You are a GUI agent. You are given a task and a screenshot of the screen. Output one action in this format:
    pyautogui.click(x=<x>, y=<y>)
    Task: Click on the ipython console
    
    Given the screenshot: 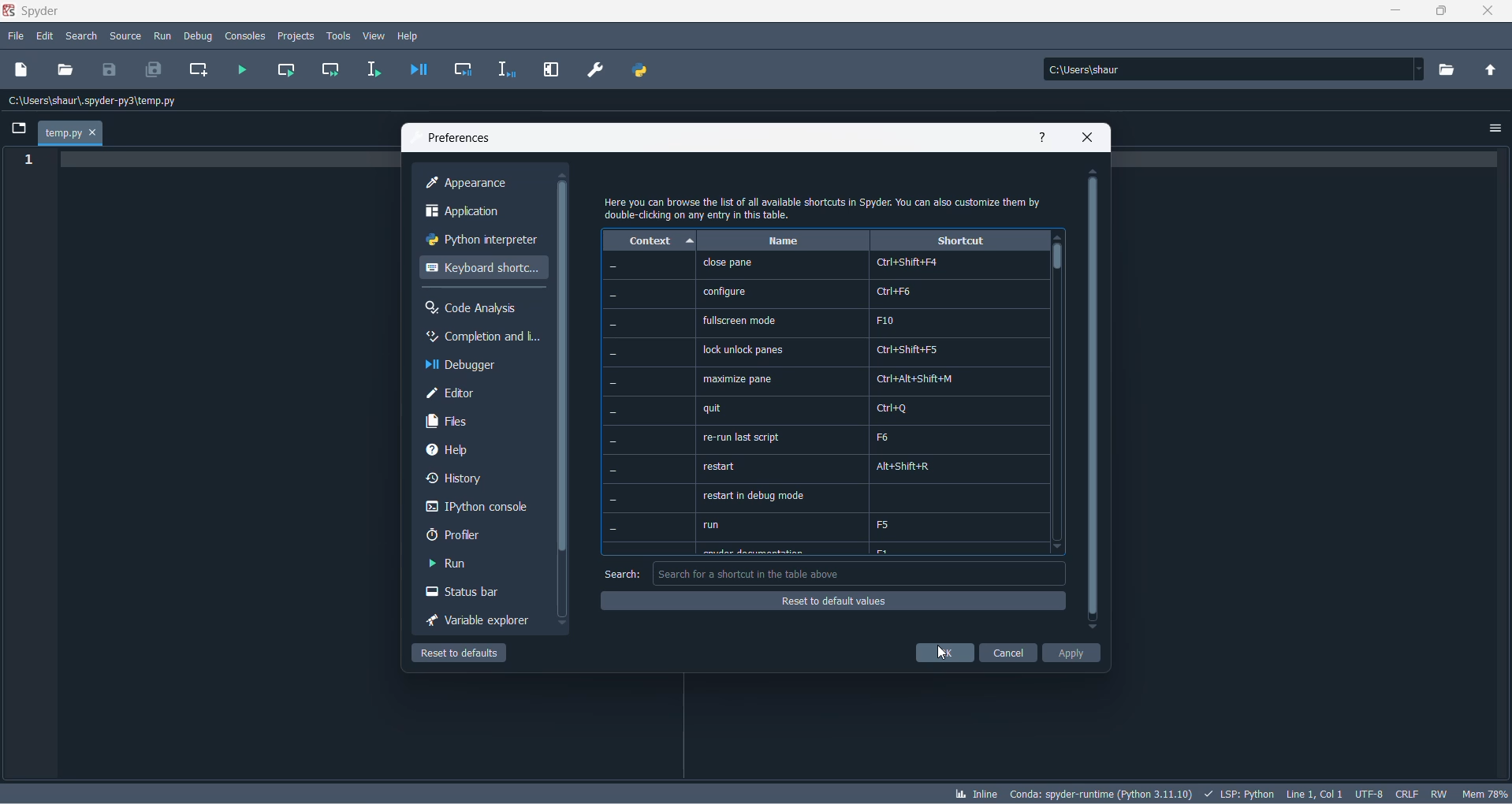 What is the action you would take?
    pyautogui.click(x=478, y=508)
    